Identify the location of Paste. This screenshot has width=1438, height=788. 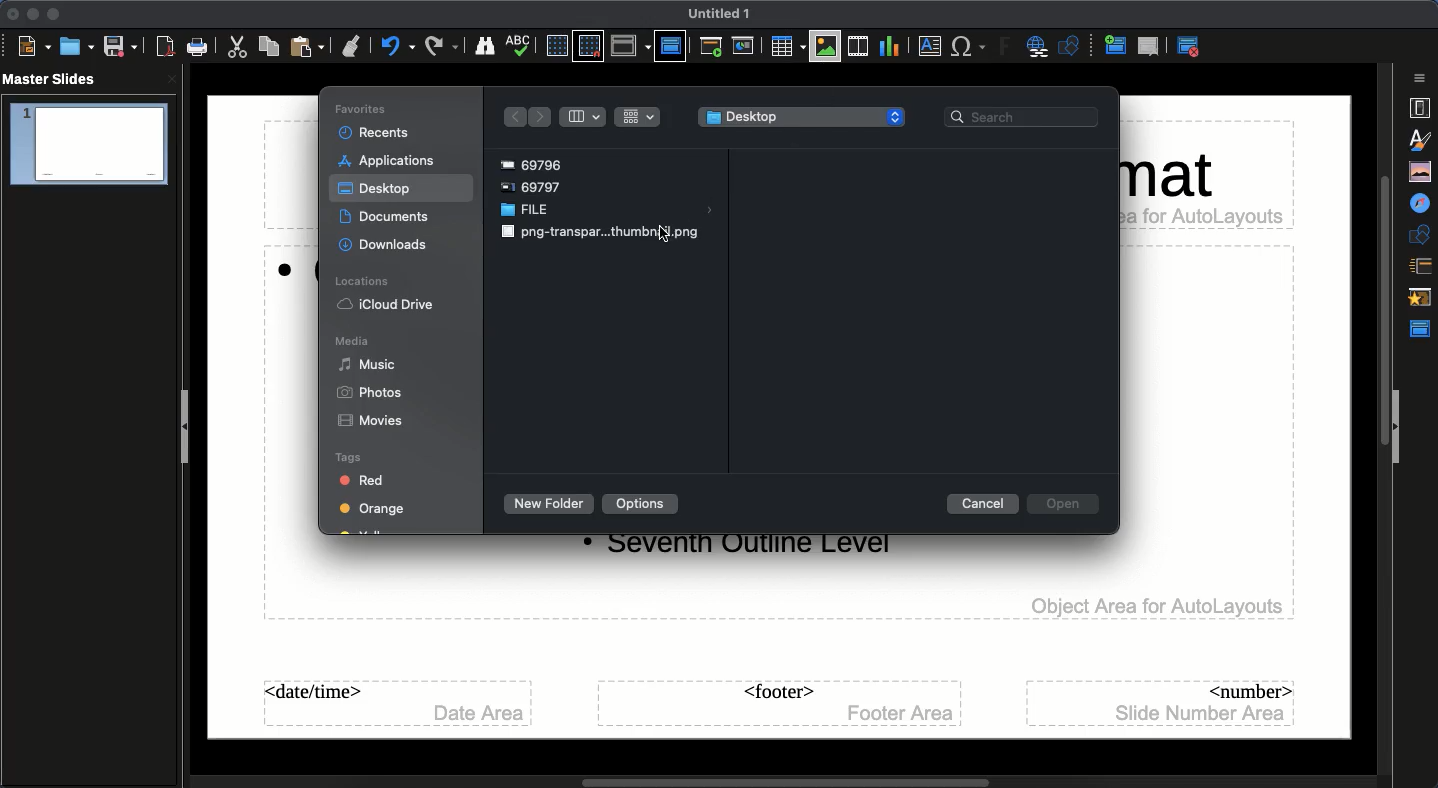
(309, 46).